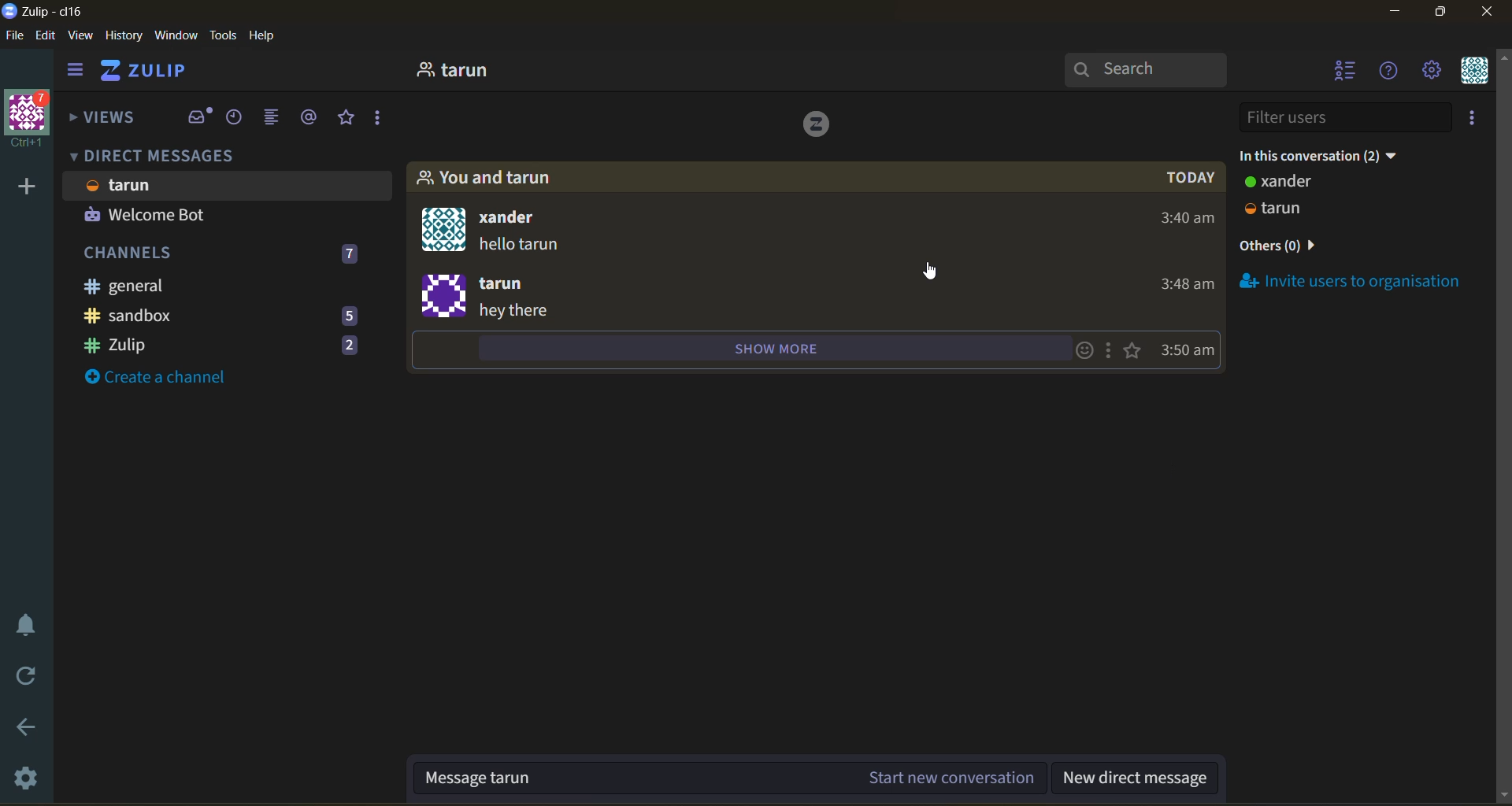  I want to click on message, so click(522, 311).